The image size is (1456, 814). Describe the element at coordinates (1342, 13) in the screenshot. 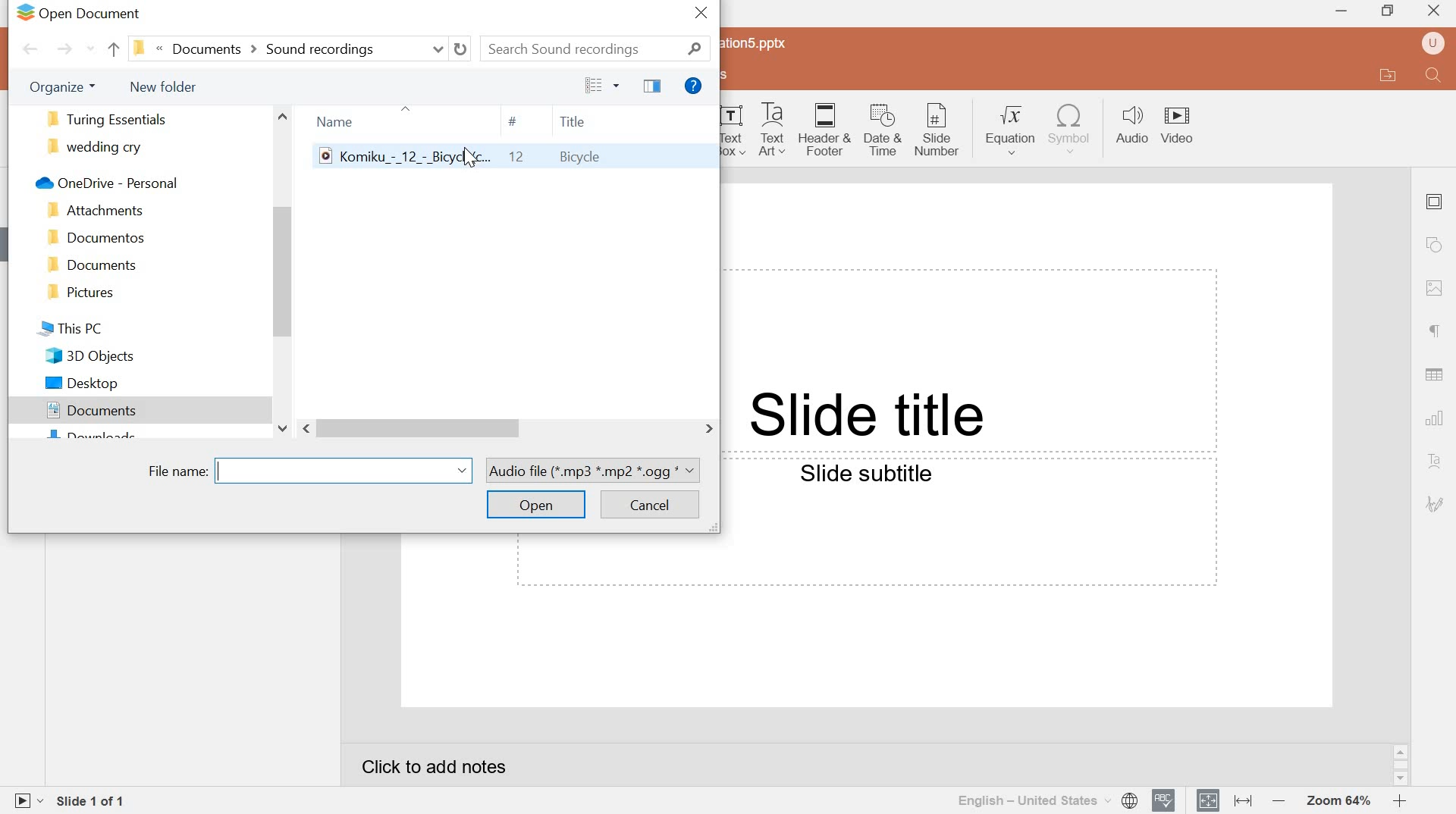

I see `MINIMIZE` at that location.